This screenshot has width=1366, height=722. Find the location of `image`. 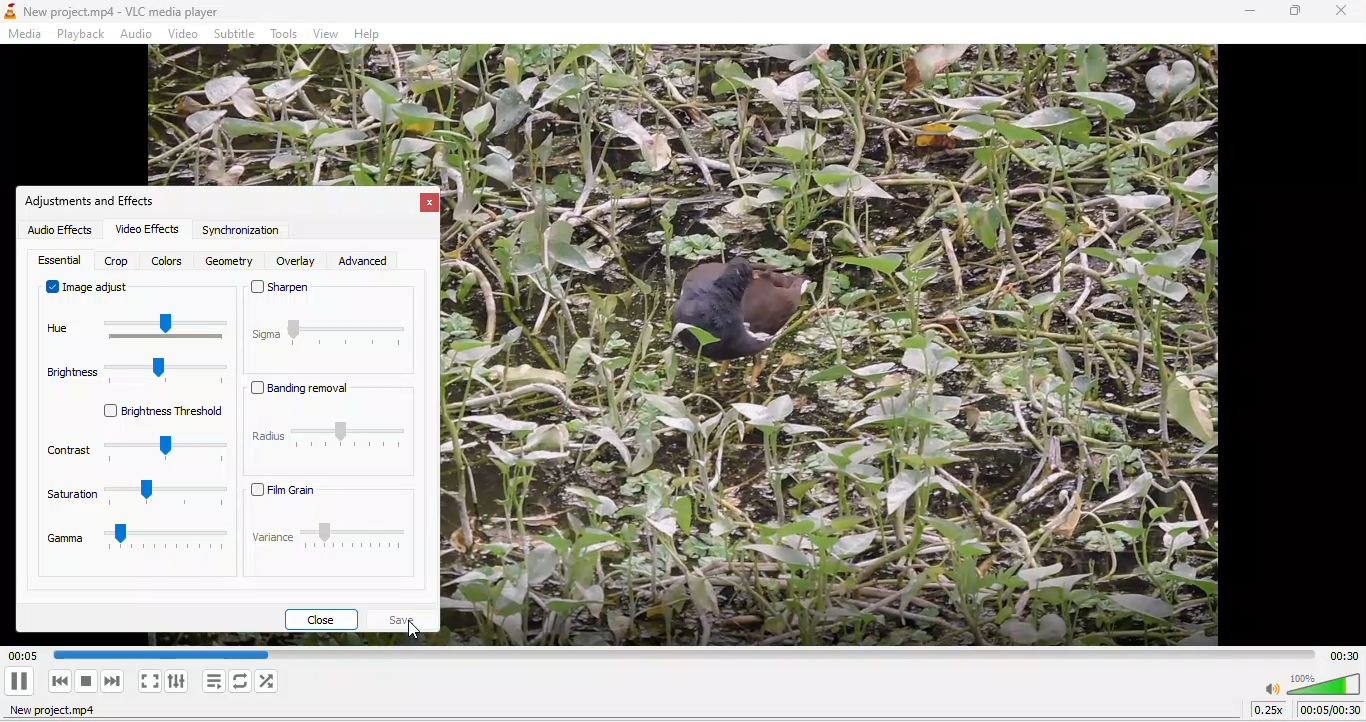

image is located at coordinates (849, 349).